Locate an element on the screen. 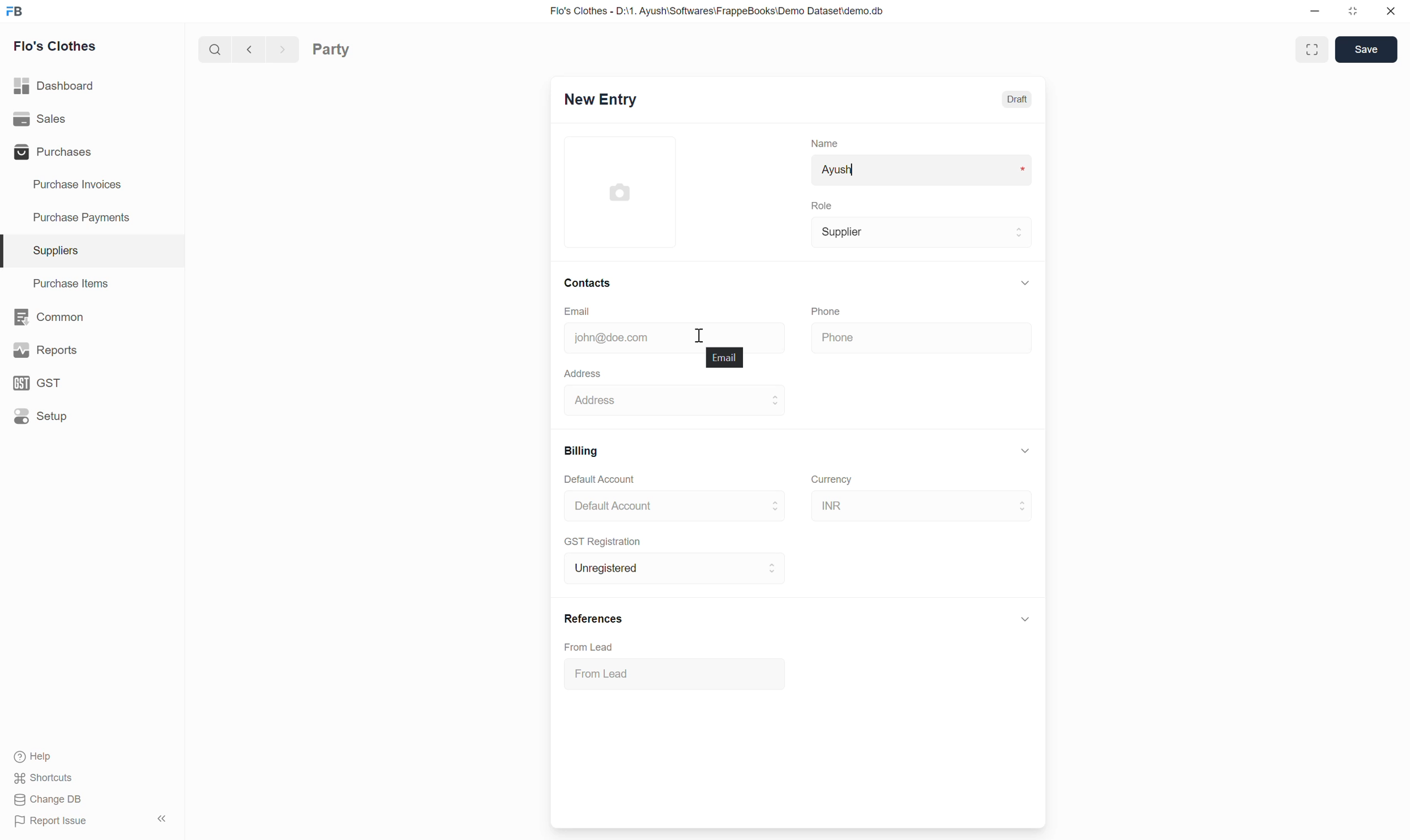 The image size is (1410, 840). Collapse is located at coordinates (1025, 451).